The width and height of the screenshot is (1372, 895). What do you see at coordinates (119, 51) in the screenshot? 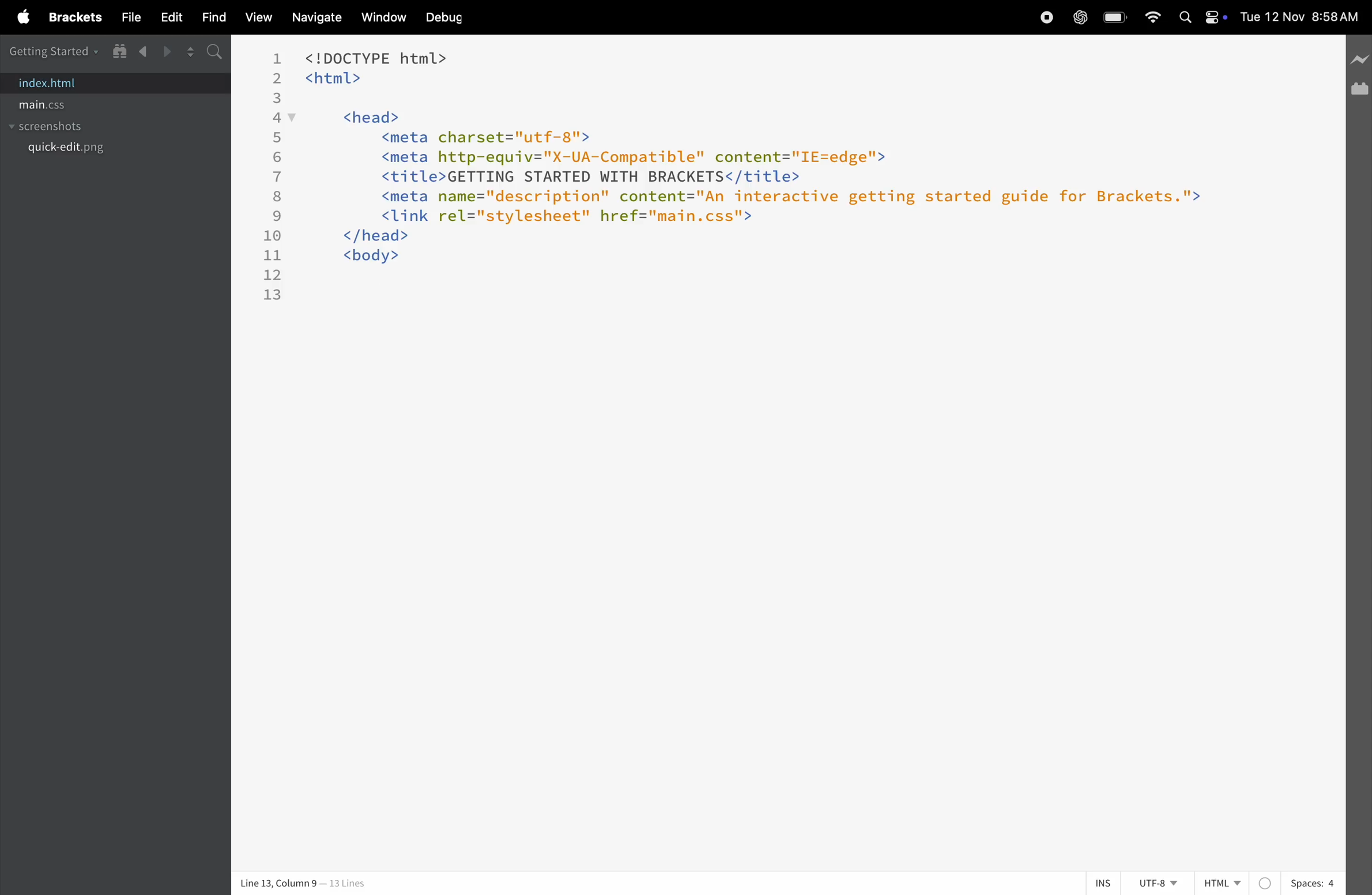
I see `show in file tree` at bounding box center [119, 51].